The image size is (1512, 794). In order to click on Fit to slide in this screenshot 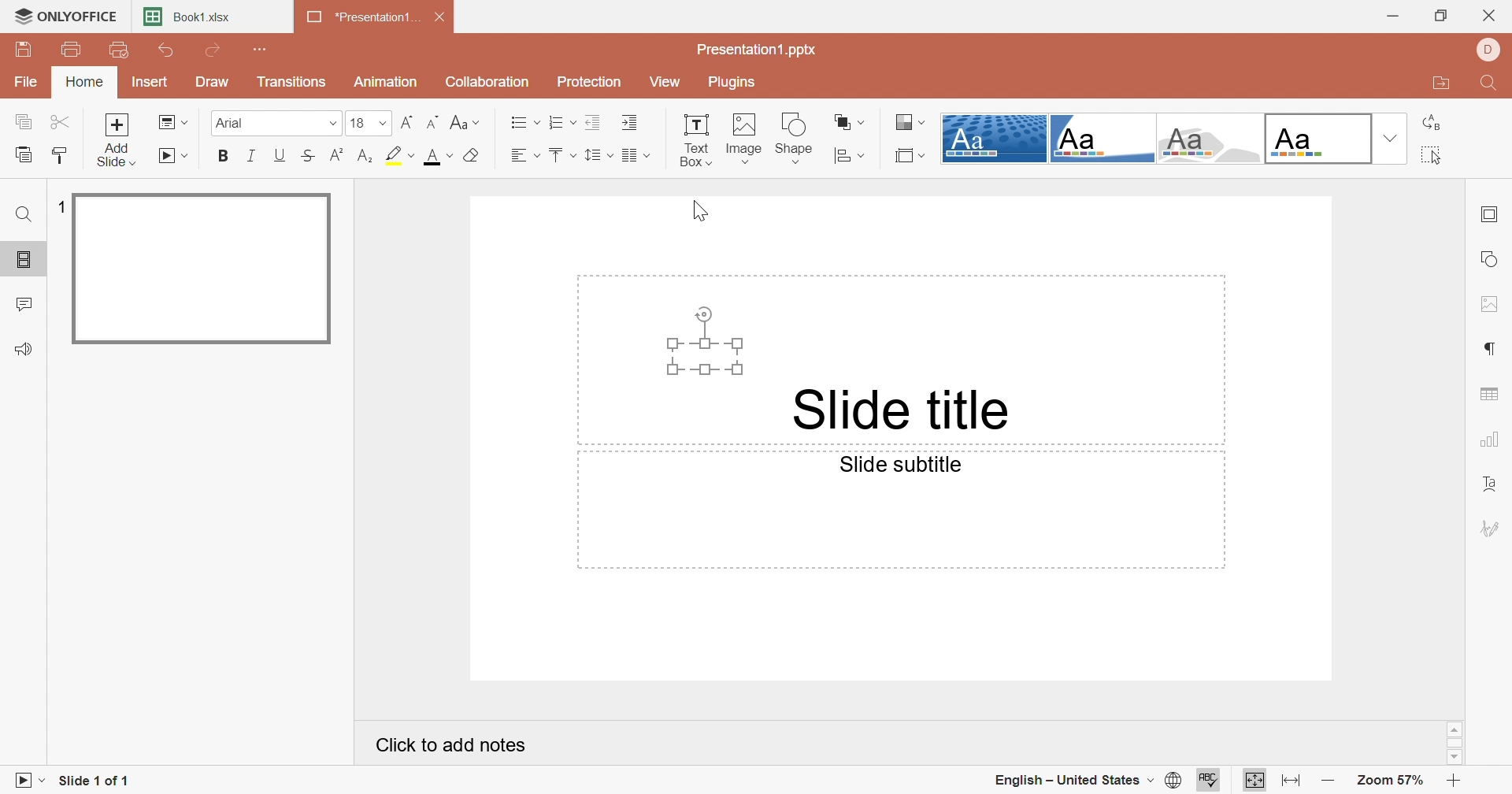, I will do `click(1253, 779)`.